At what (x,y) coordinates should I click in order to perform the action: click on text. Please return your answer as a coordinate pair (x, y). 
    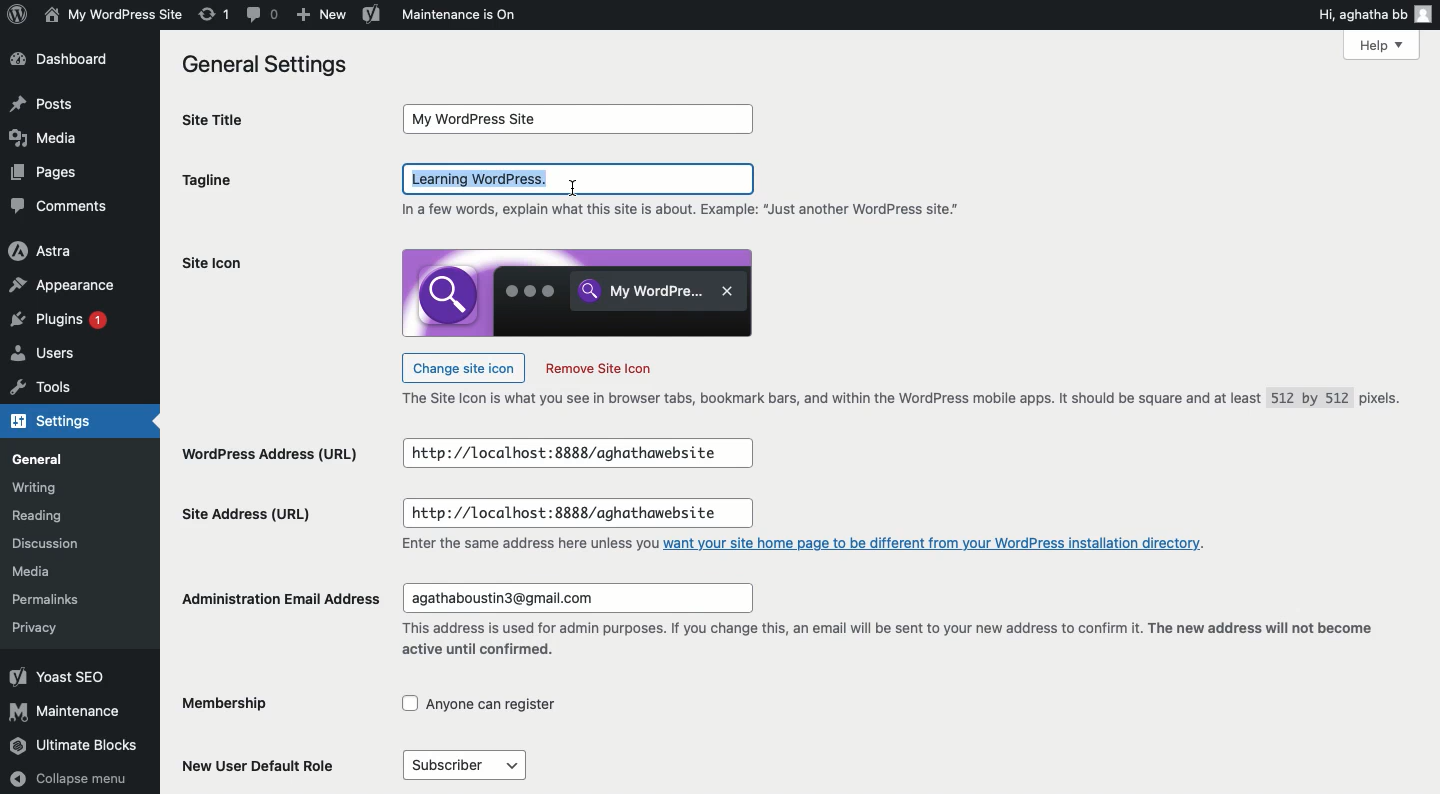
    Looking at the image, I should click on (527, 545).